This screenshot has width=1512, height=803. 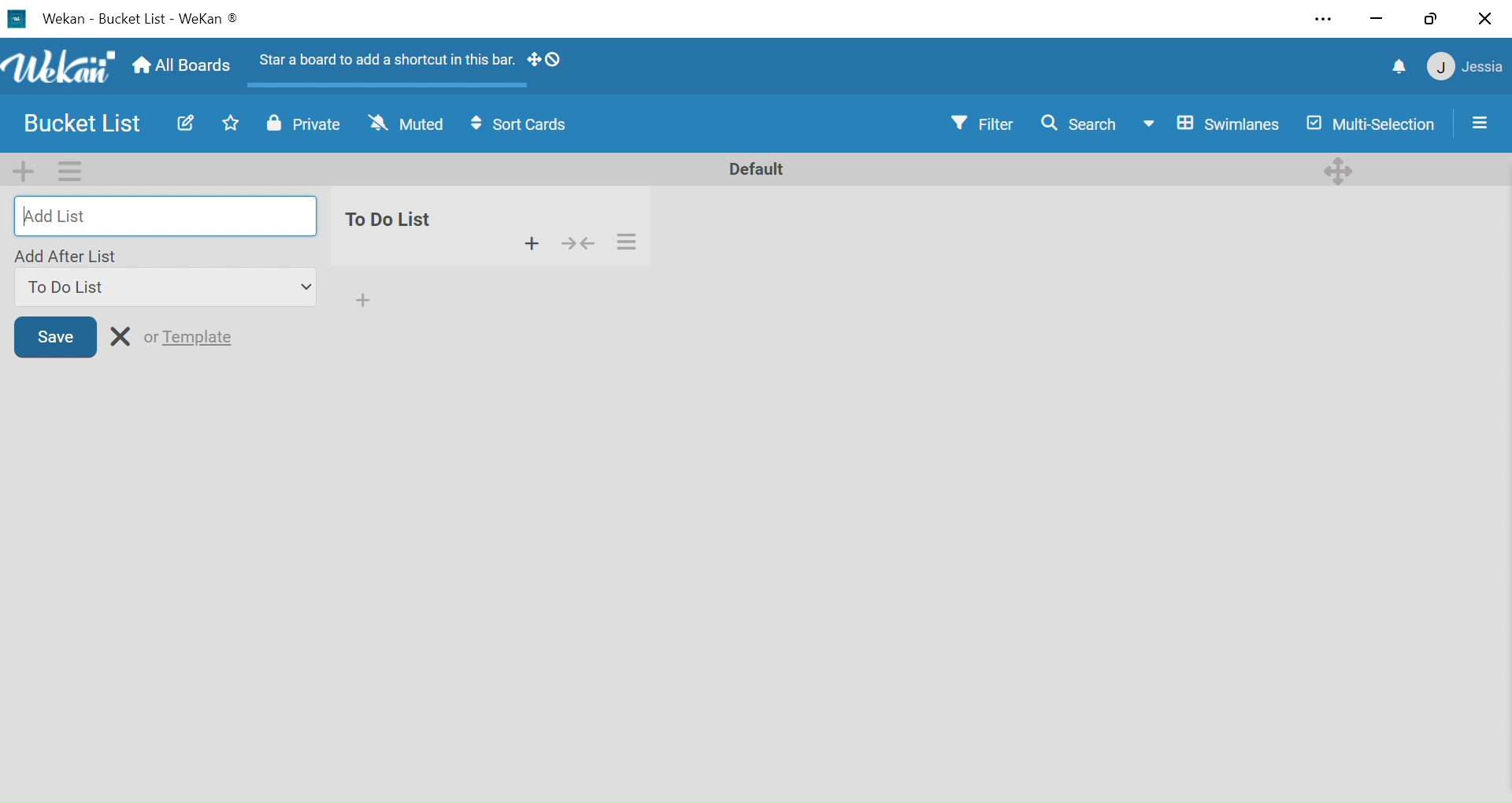 What do you see at coordinates (306, 288) in the screenshot?
I see `Expand` at bounding box center [306, 288].